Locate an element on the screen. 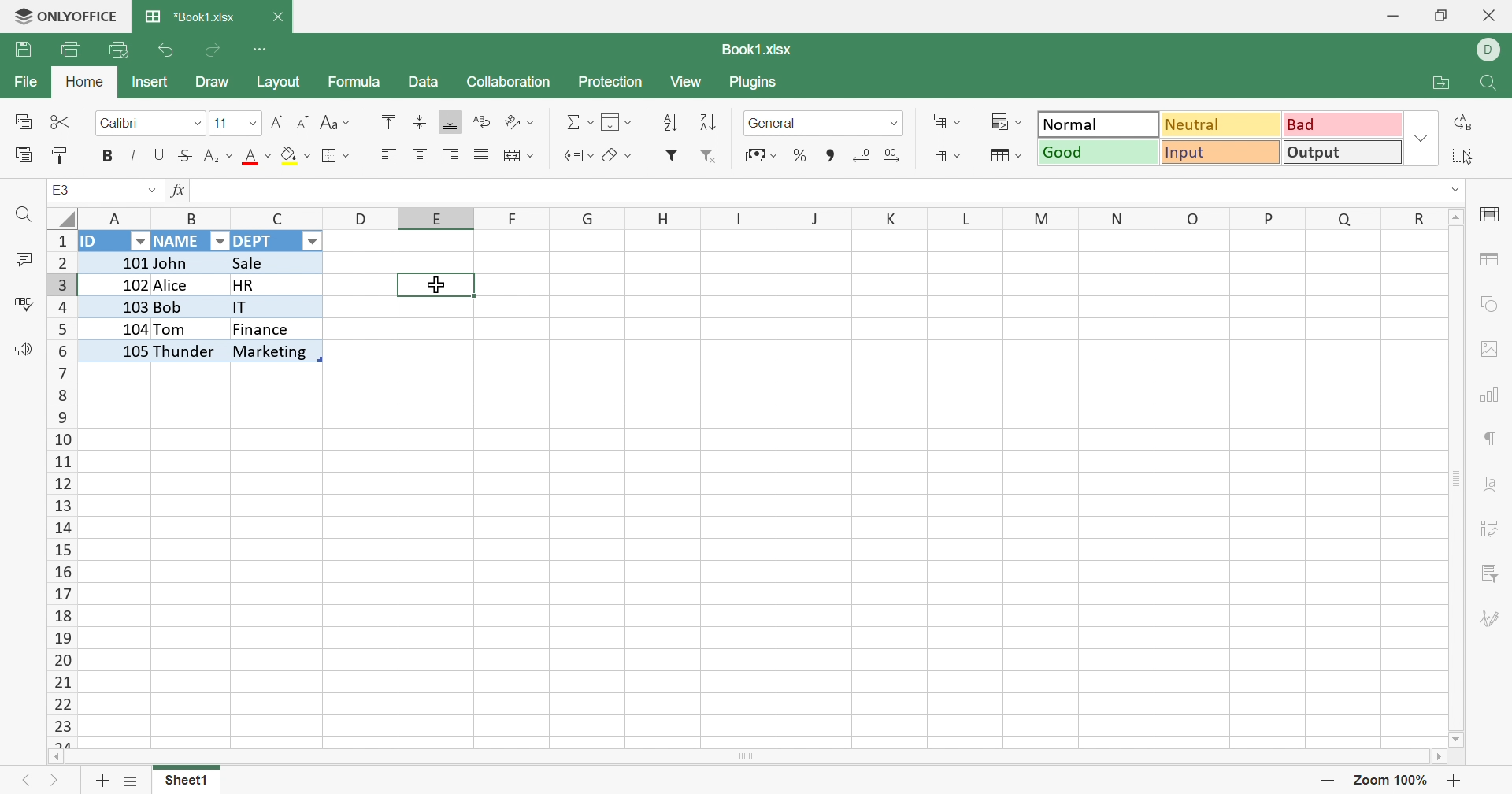 This screenshot has height=794, width=1512. Format table as template is located at coordinates (948, 156).